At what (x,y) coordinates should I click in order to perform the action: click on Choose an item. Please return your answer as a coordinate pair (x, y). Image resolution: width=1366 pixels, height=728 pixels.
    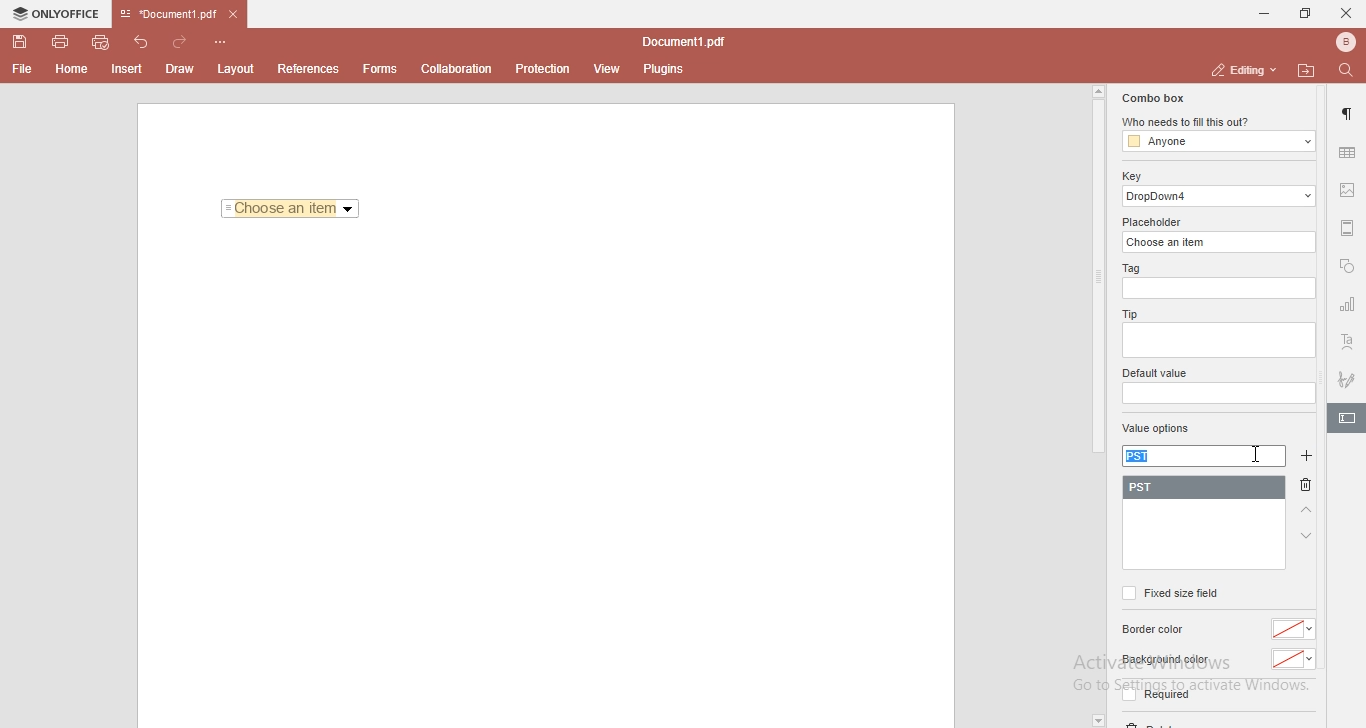
    Looking at the image, I should click on (291, 210).